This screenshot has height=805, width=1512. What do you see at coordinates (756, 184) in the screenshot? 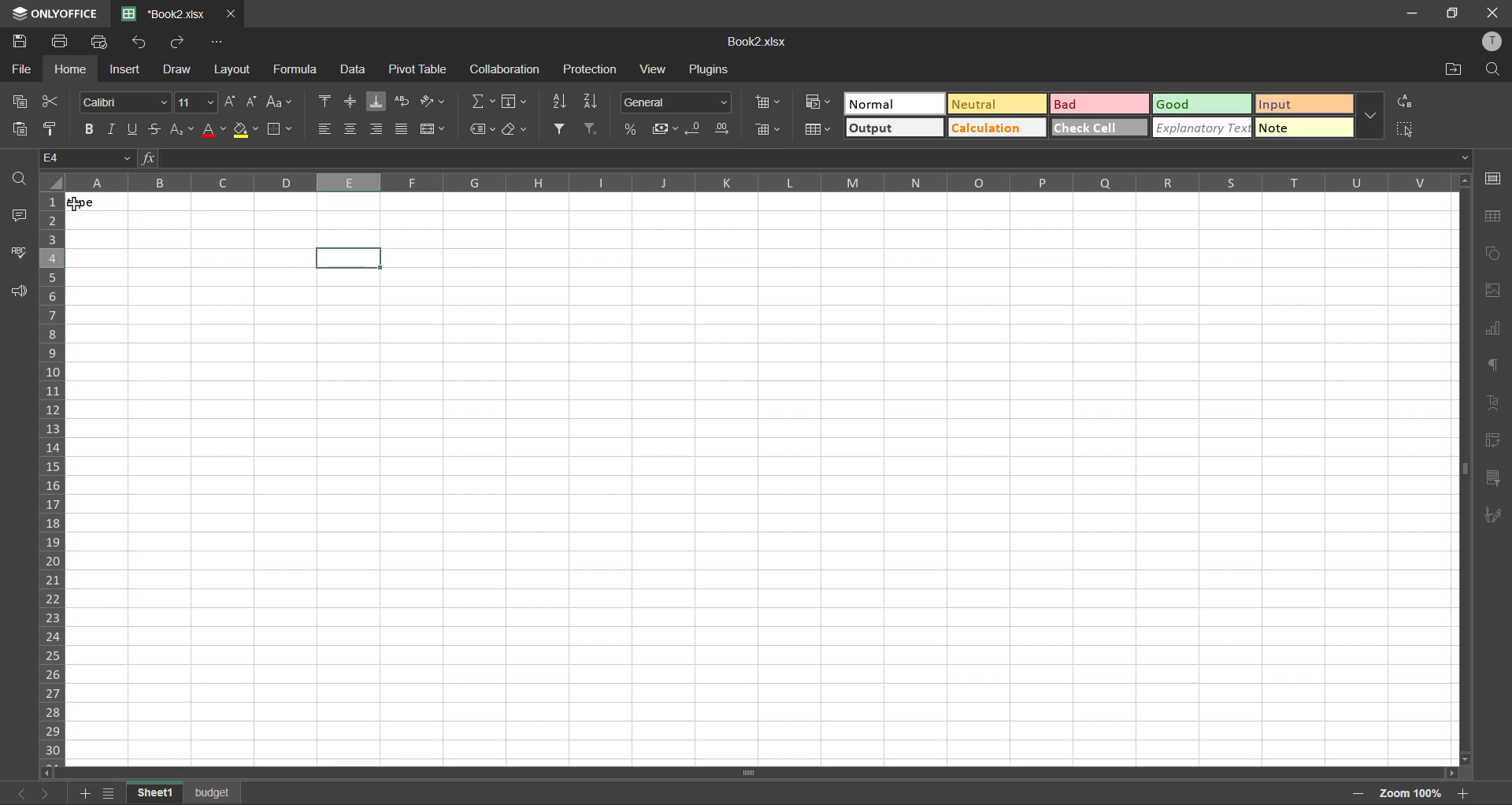
I see `column names` at bounding box center [756, 184].